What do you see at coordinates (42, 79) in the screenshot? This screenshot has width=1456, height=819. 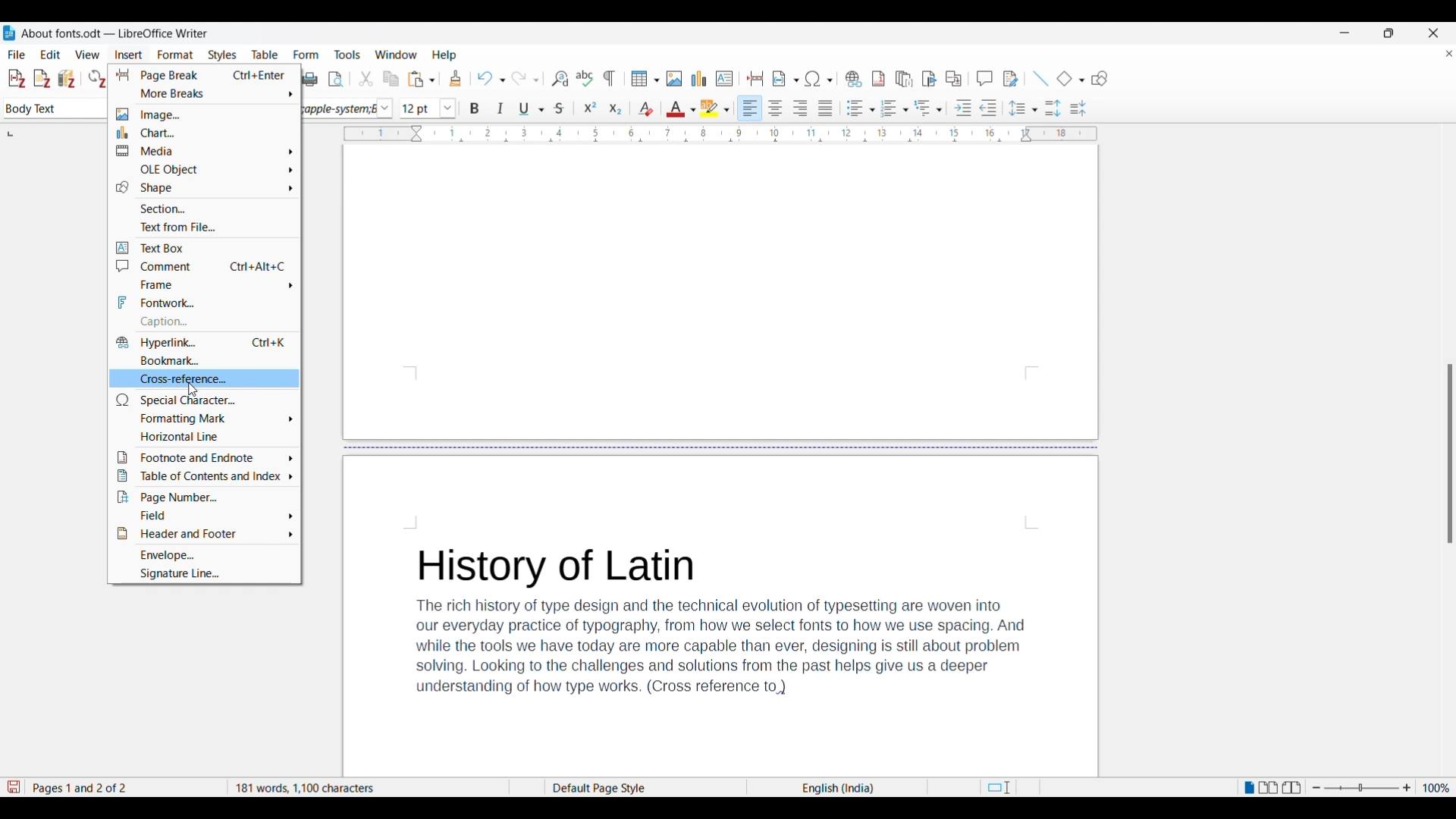 I see `Add note` at bounding box center [42, 79].